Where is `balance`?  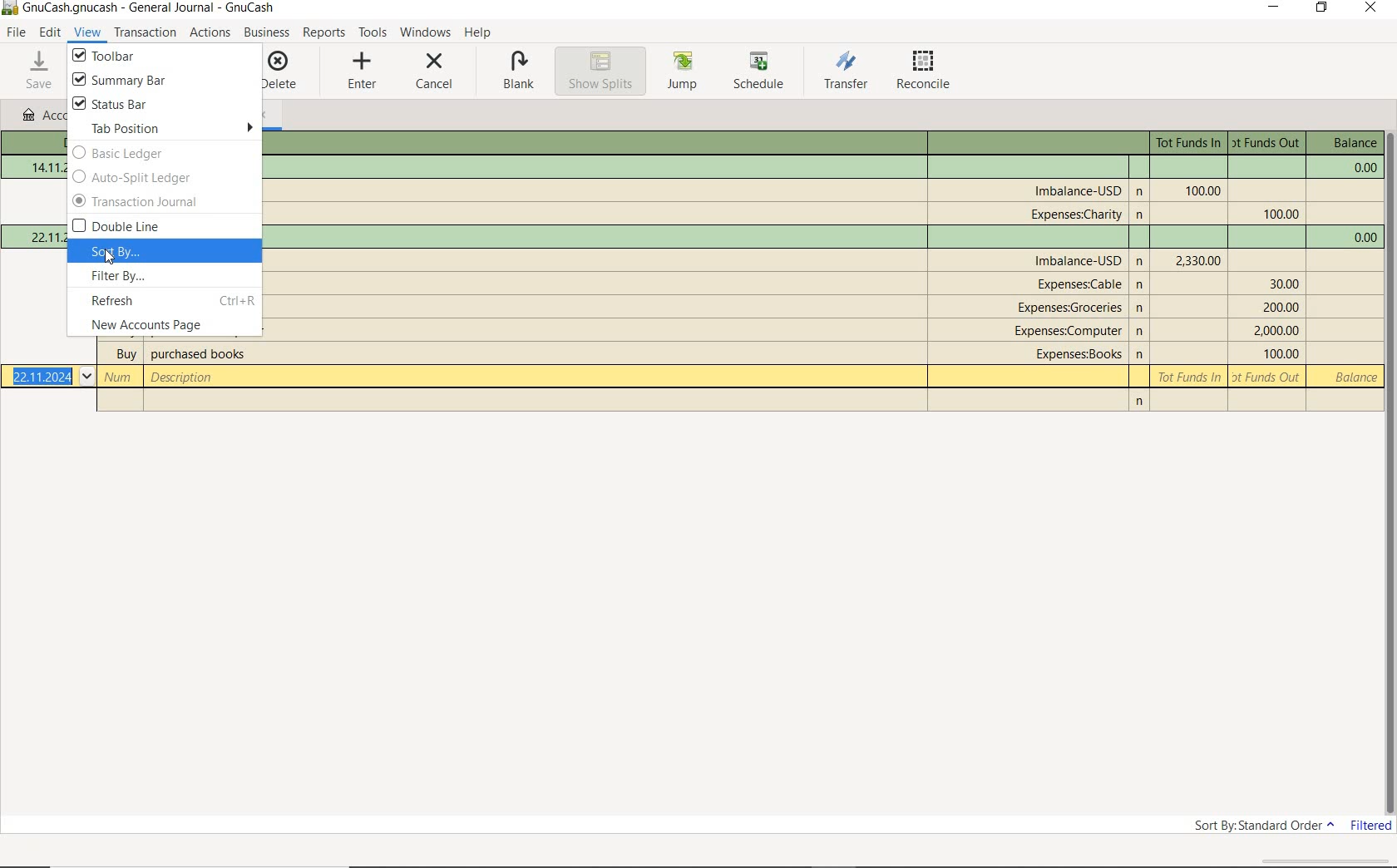
balance is located at coordinates (1361, 238).